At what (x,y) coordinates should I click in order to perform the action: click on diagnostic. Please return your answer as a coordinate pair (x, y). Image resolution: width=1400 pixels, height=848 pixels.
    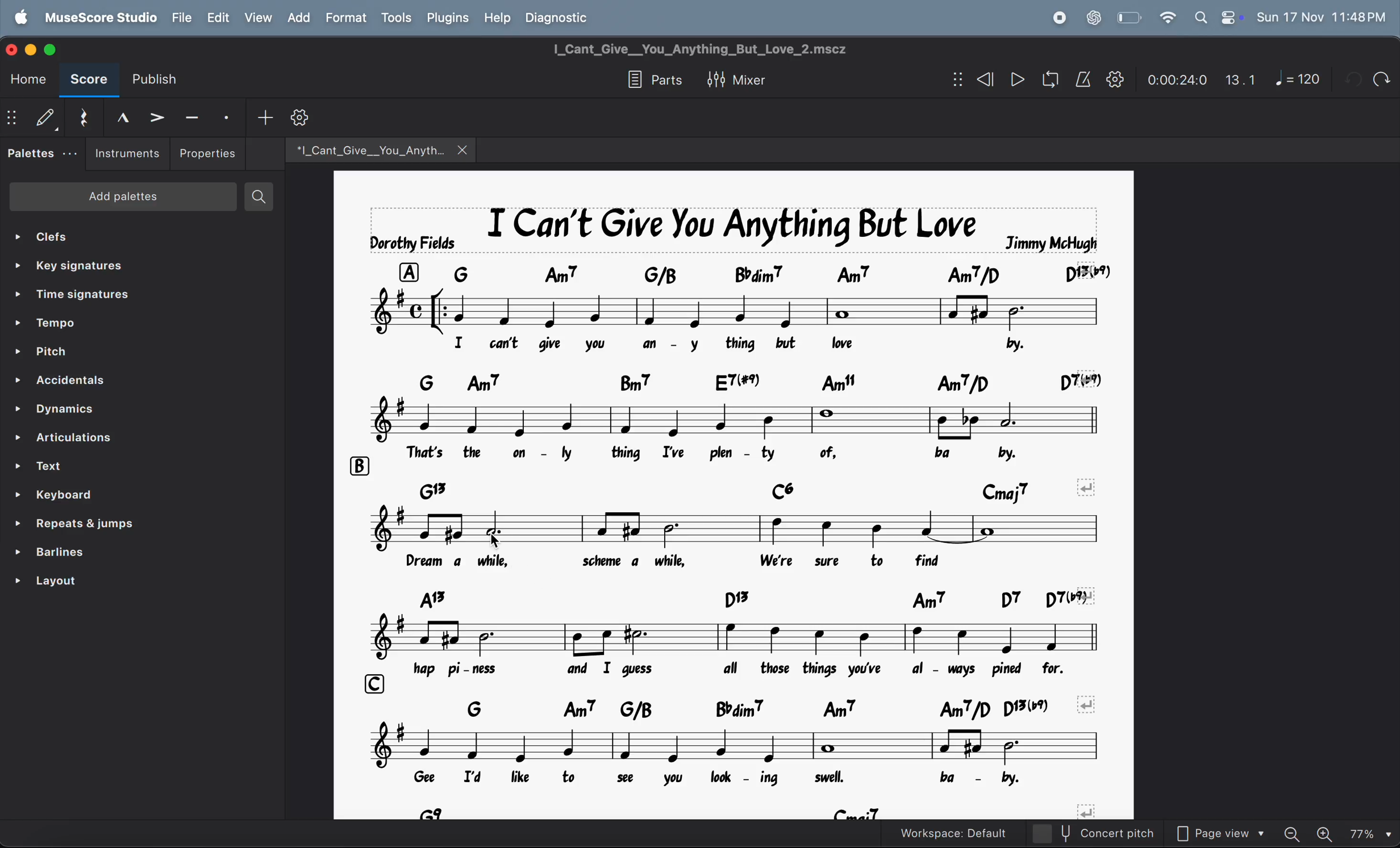
    Looking at the image, I should click on (564, 19).